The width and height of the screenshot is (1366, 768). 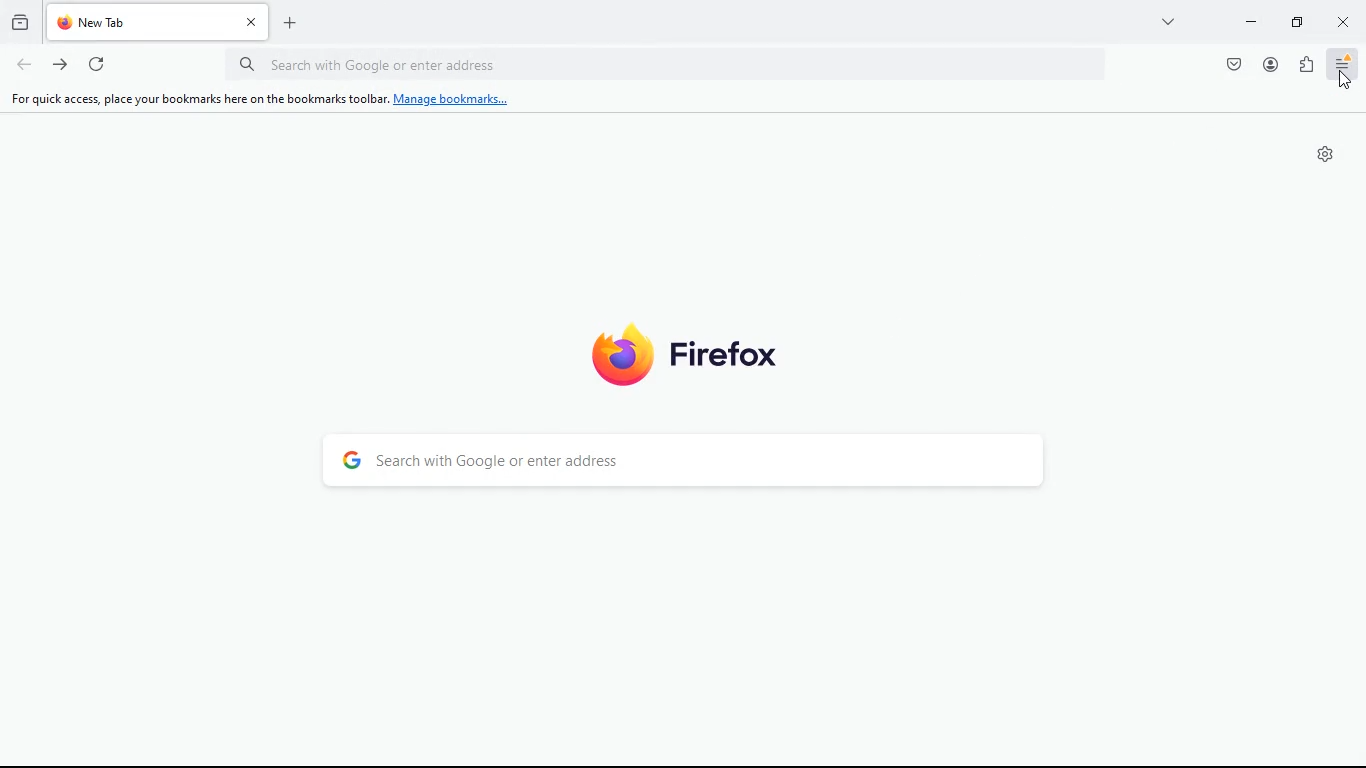 What do you see at coordinates (1251, 20) in the screenshot?
I see `minimize` at bounding box center [1251, 20].